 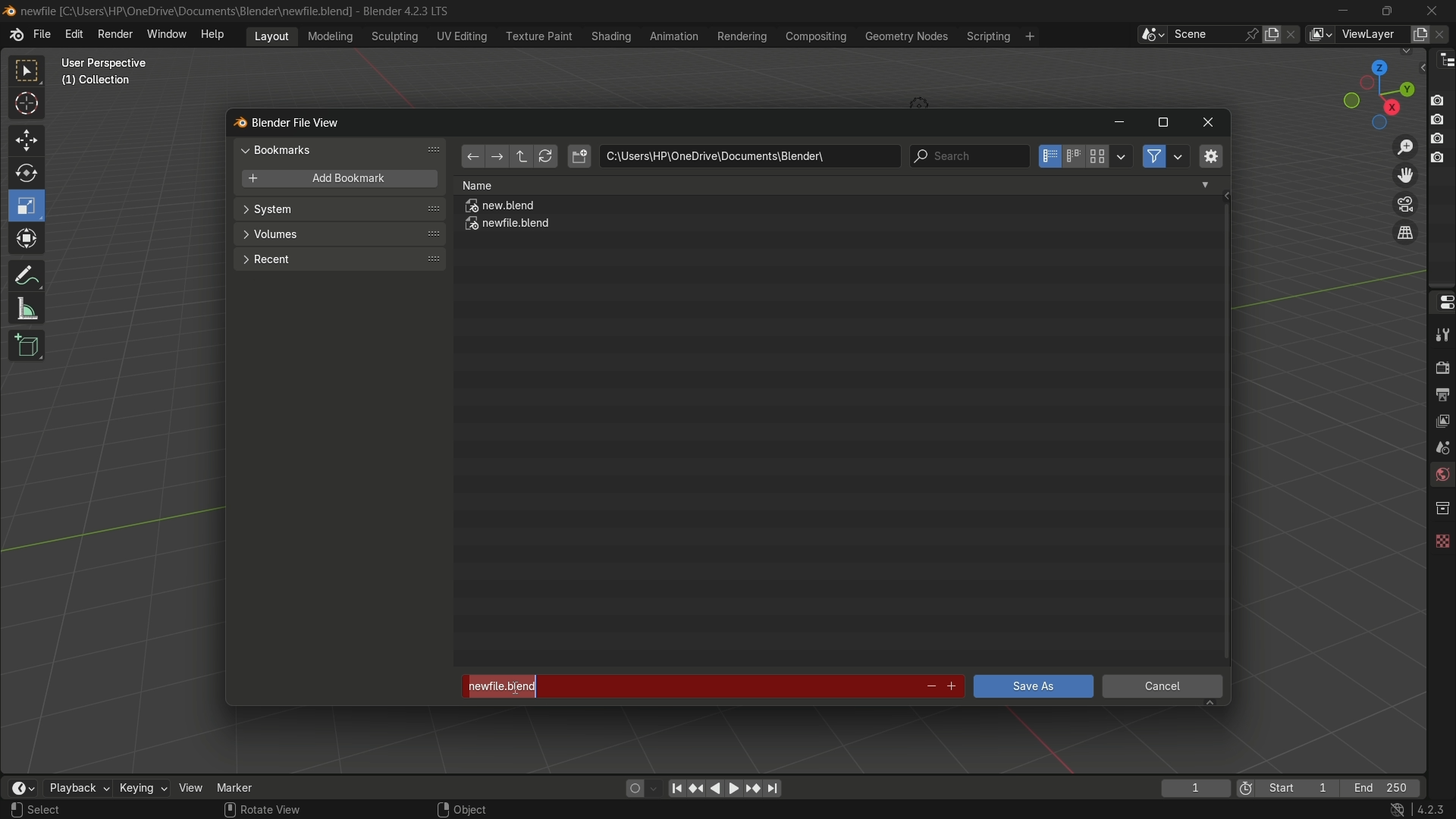 I want to click on Select, so click(x=63, y=810).